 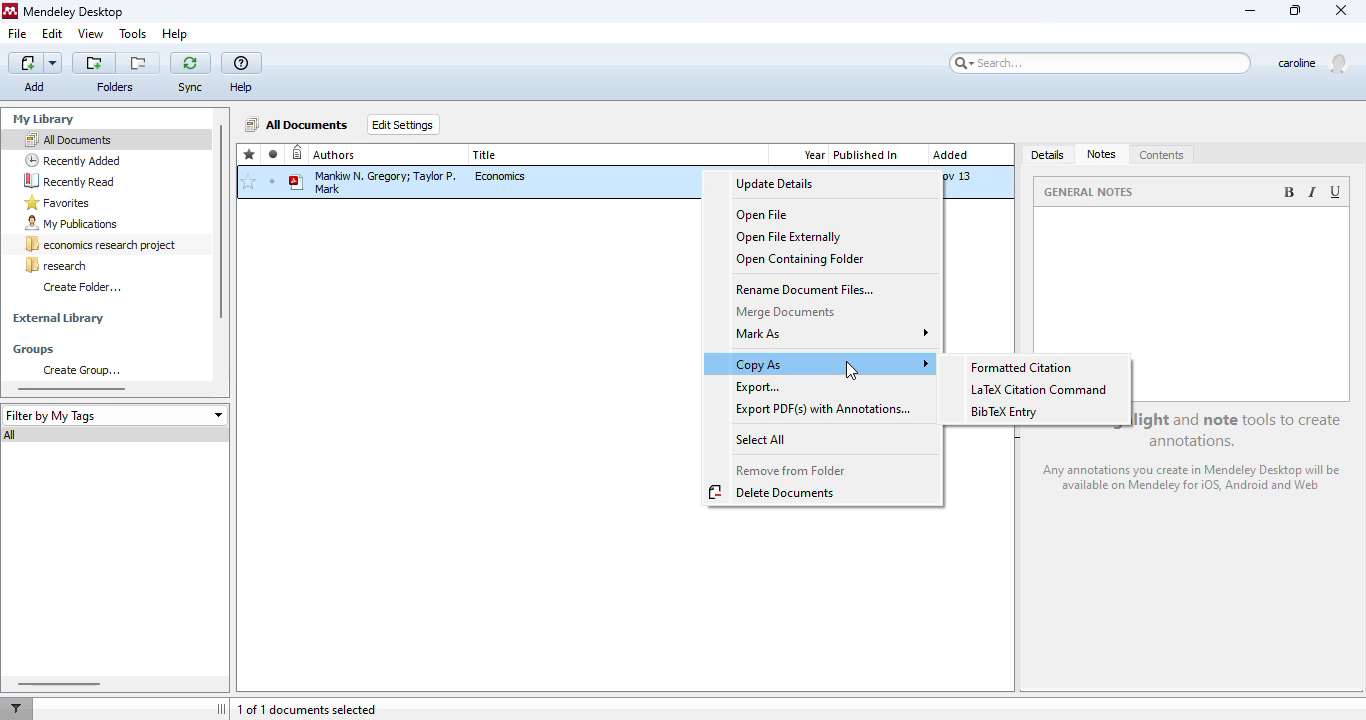 I want to click on economics research project, so click(x=102, y=245).